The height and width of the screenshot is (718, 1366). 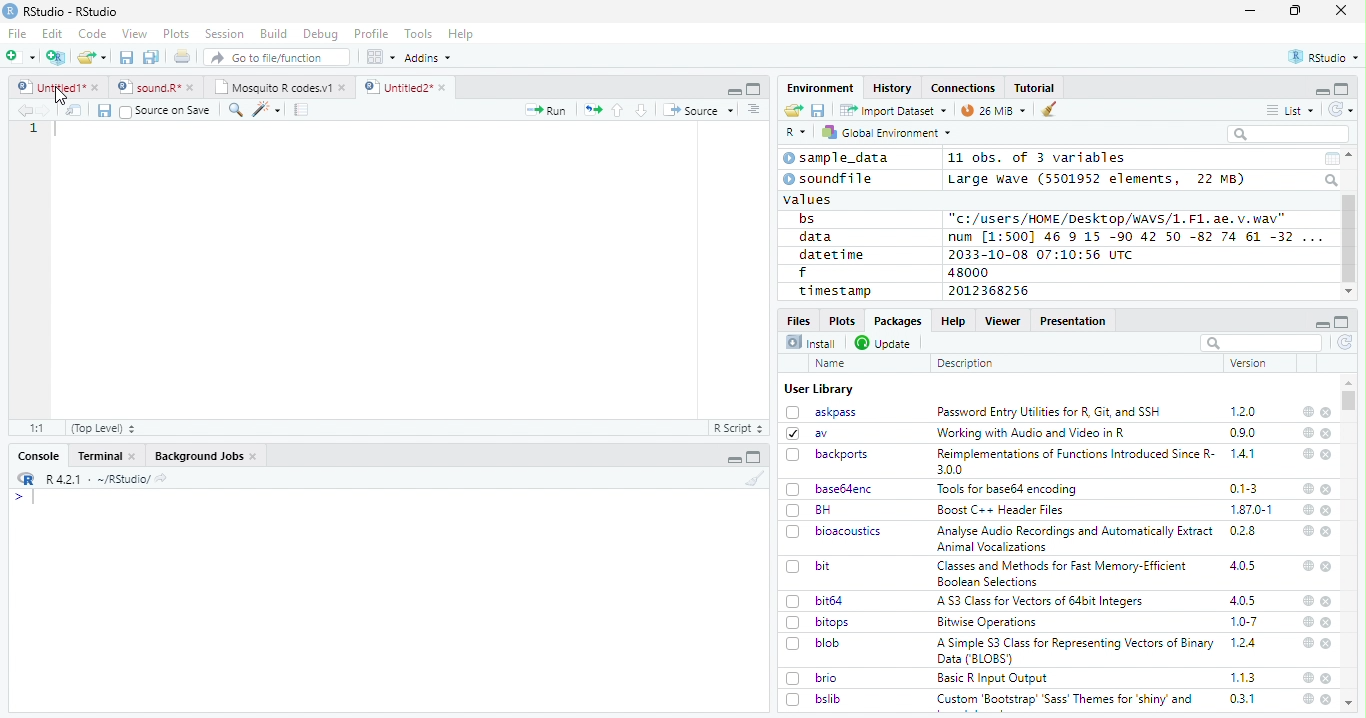 I want to click on soundfile, so click(x=829, y=179).